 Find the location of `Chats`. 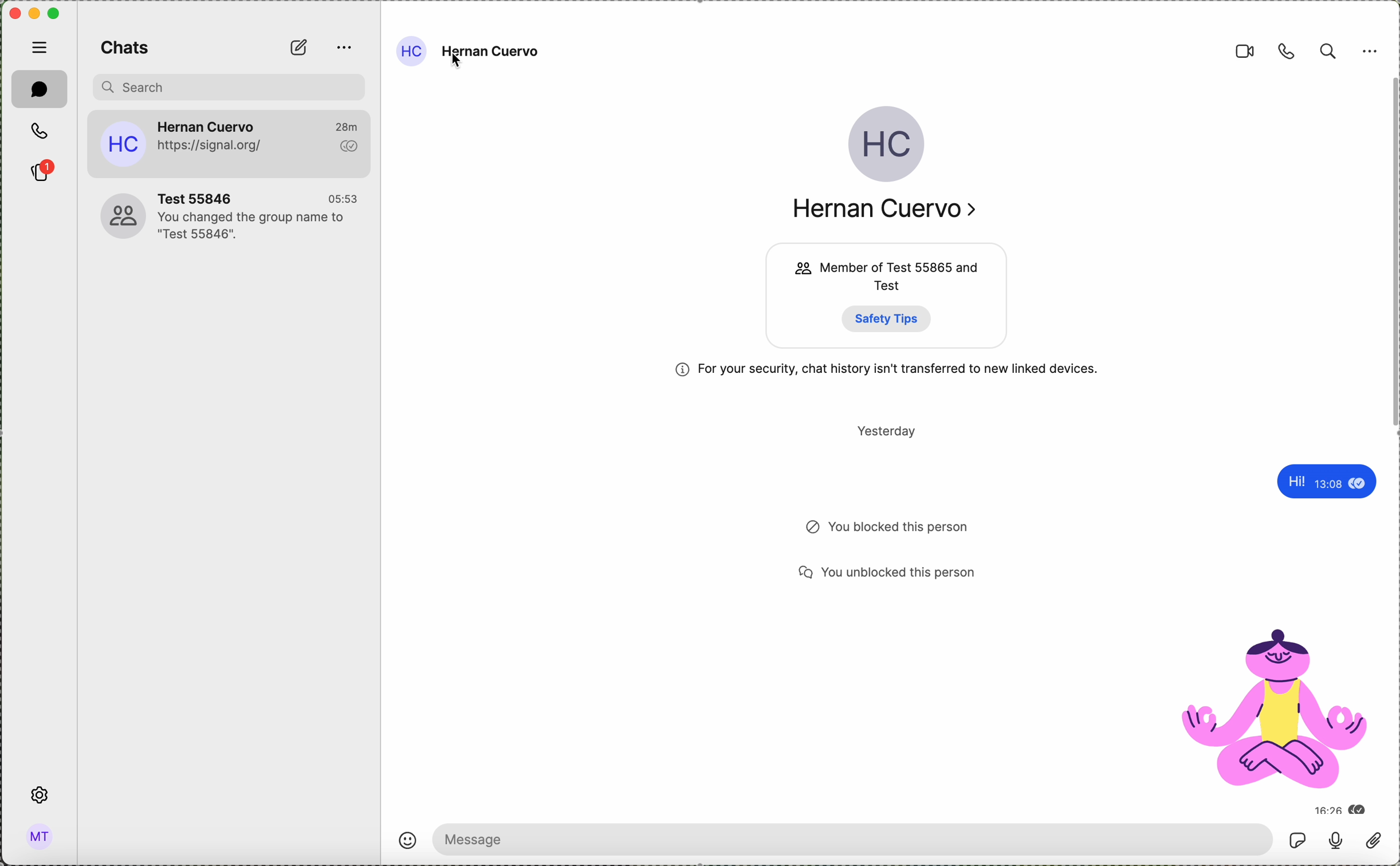

Chats is located at coordinates (128, 47).